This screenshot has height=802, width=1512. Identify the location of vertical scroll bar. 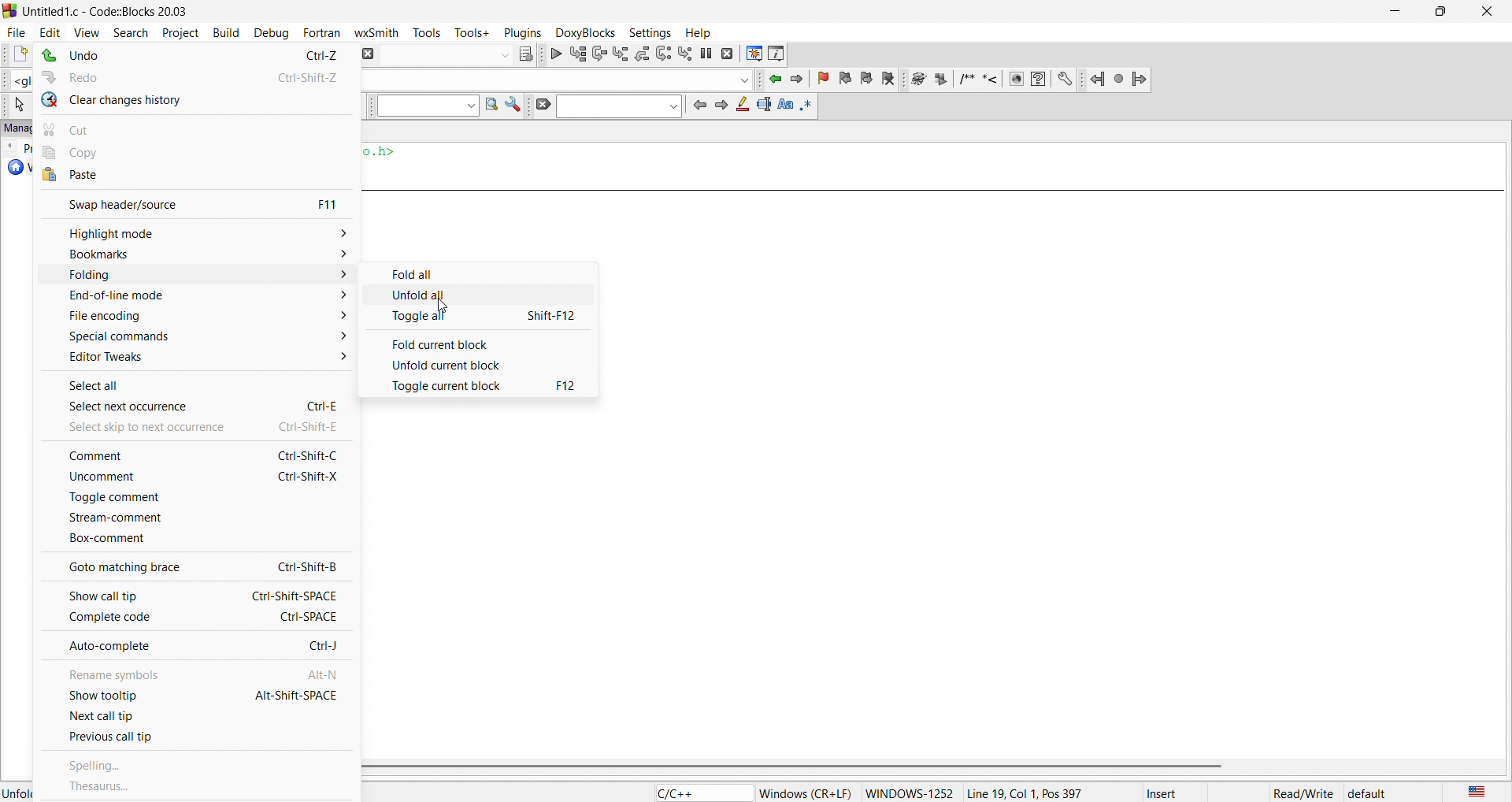
(926, 767).